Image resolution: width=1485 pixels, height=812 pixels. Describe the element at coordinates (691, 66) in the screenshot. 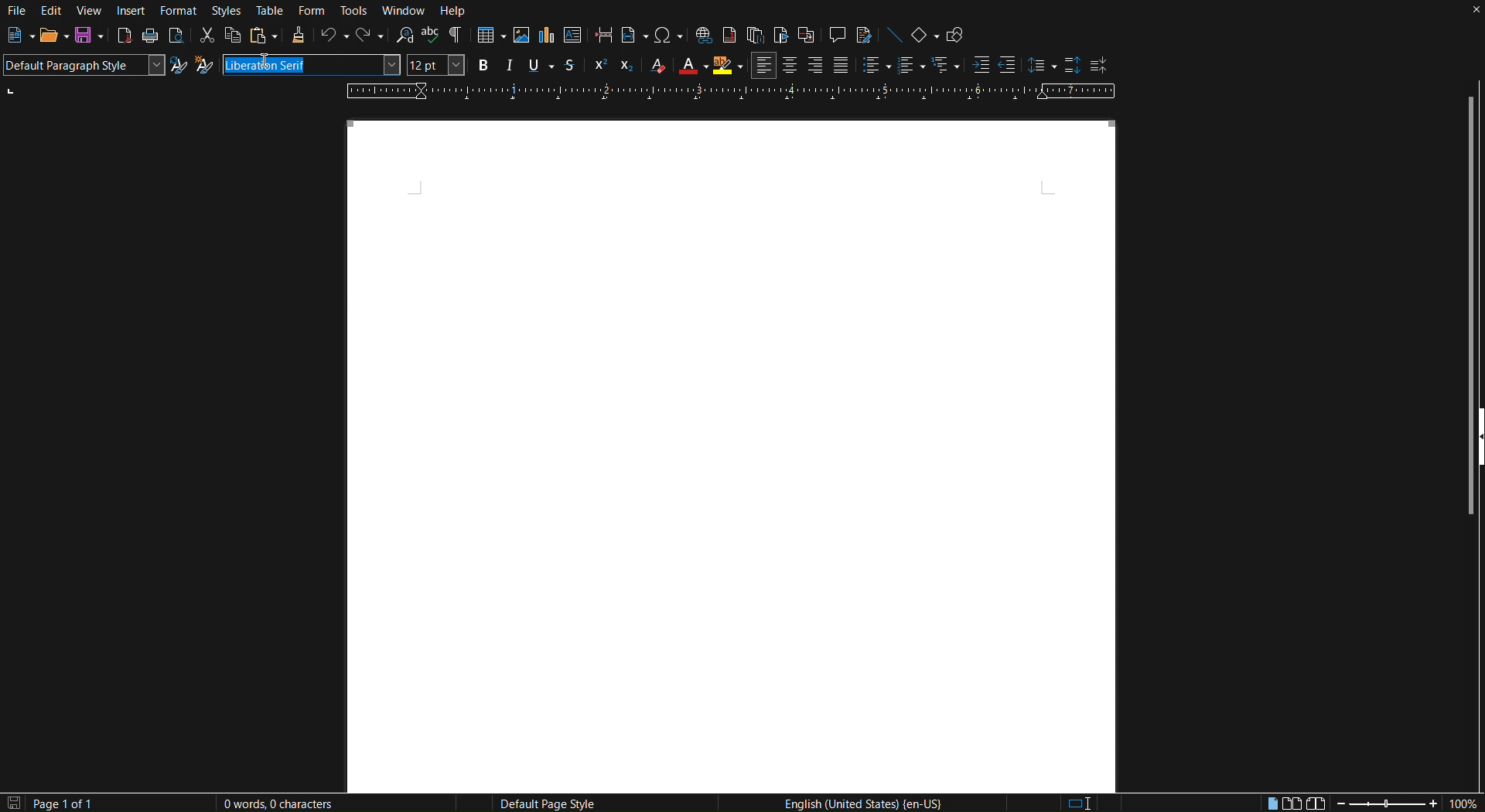

I see `Text Color` at that location.